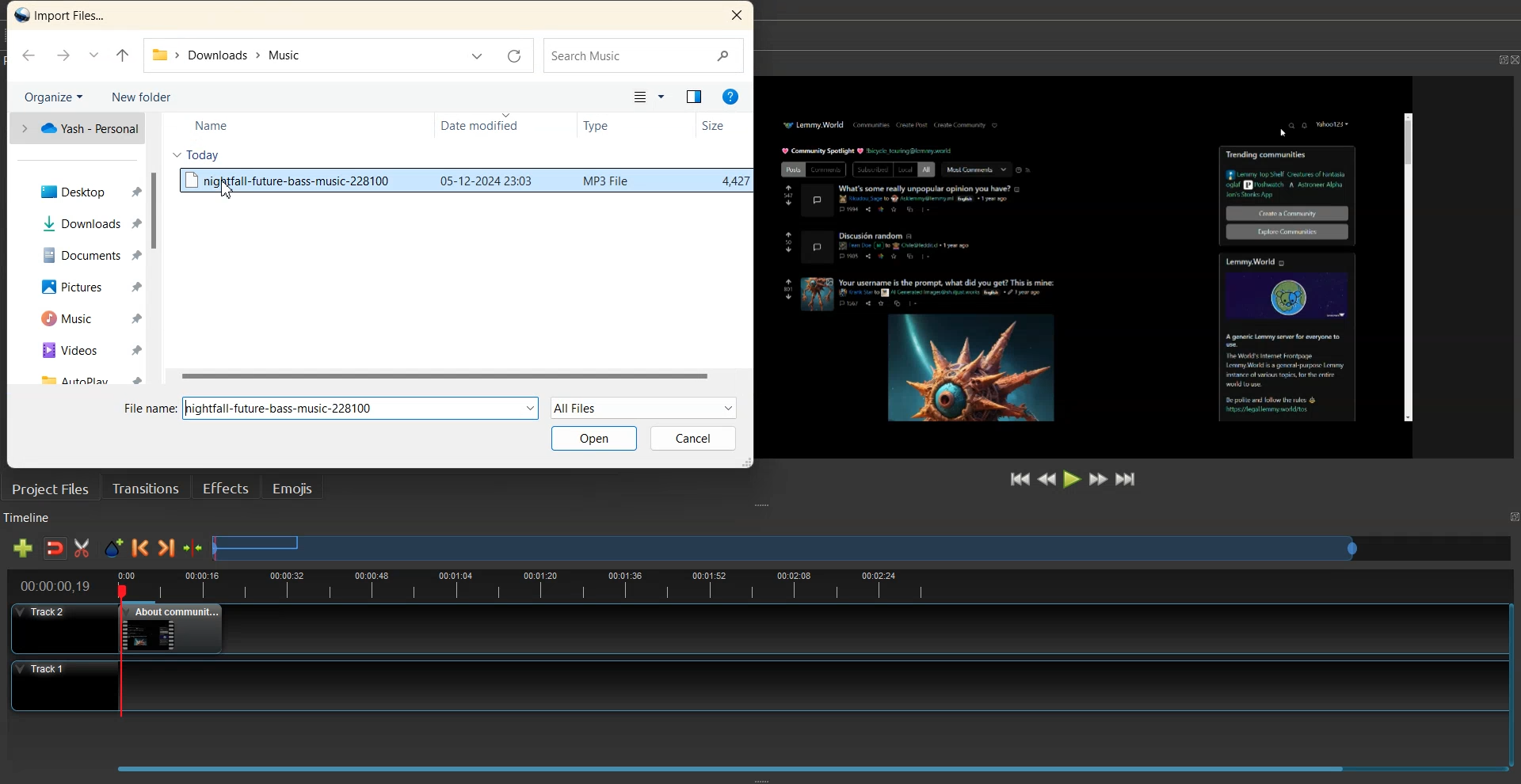  I want to click on Pictures, so click(76, 287).